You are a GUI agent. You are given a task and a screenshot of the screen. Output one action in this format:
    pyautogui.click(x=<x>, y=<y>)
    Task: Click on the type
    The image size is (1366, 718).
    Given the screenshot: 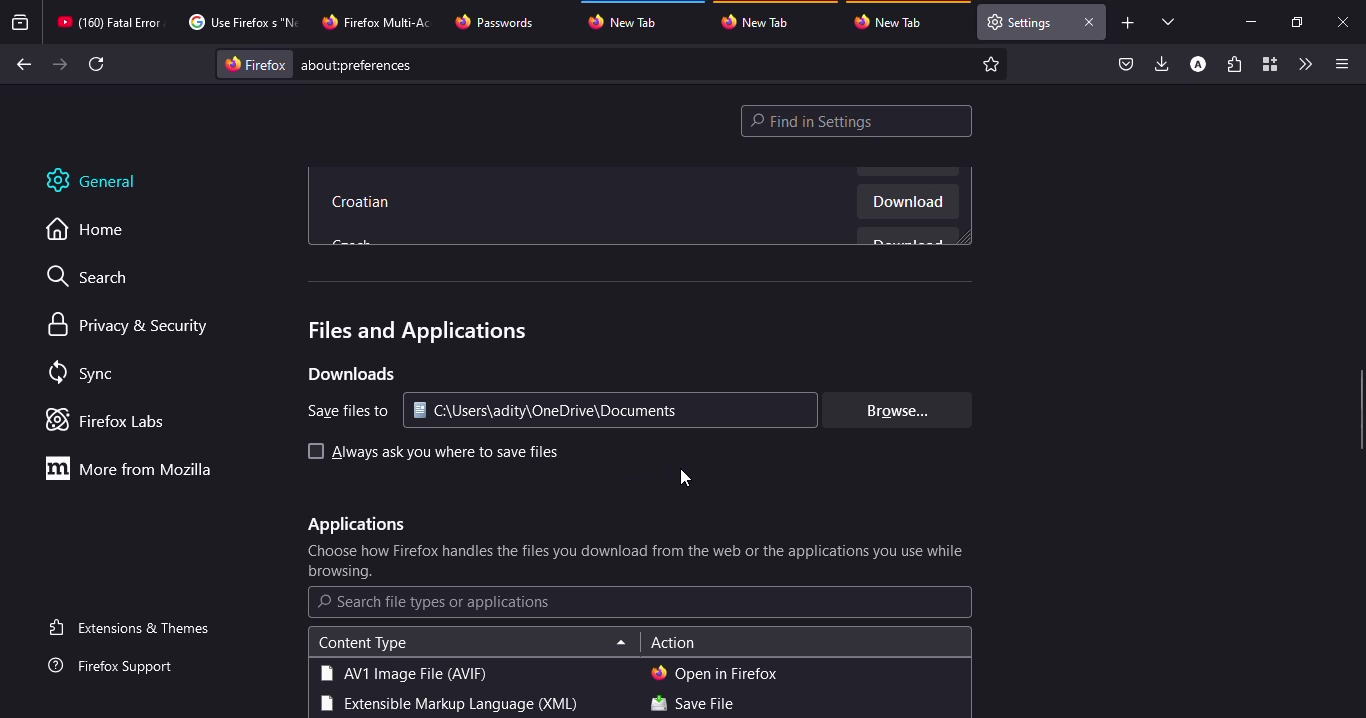 What is the action you would take?
    pyautogui.click(x=403, y=673)
    